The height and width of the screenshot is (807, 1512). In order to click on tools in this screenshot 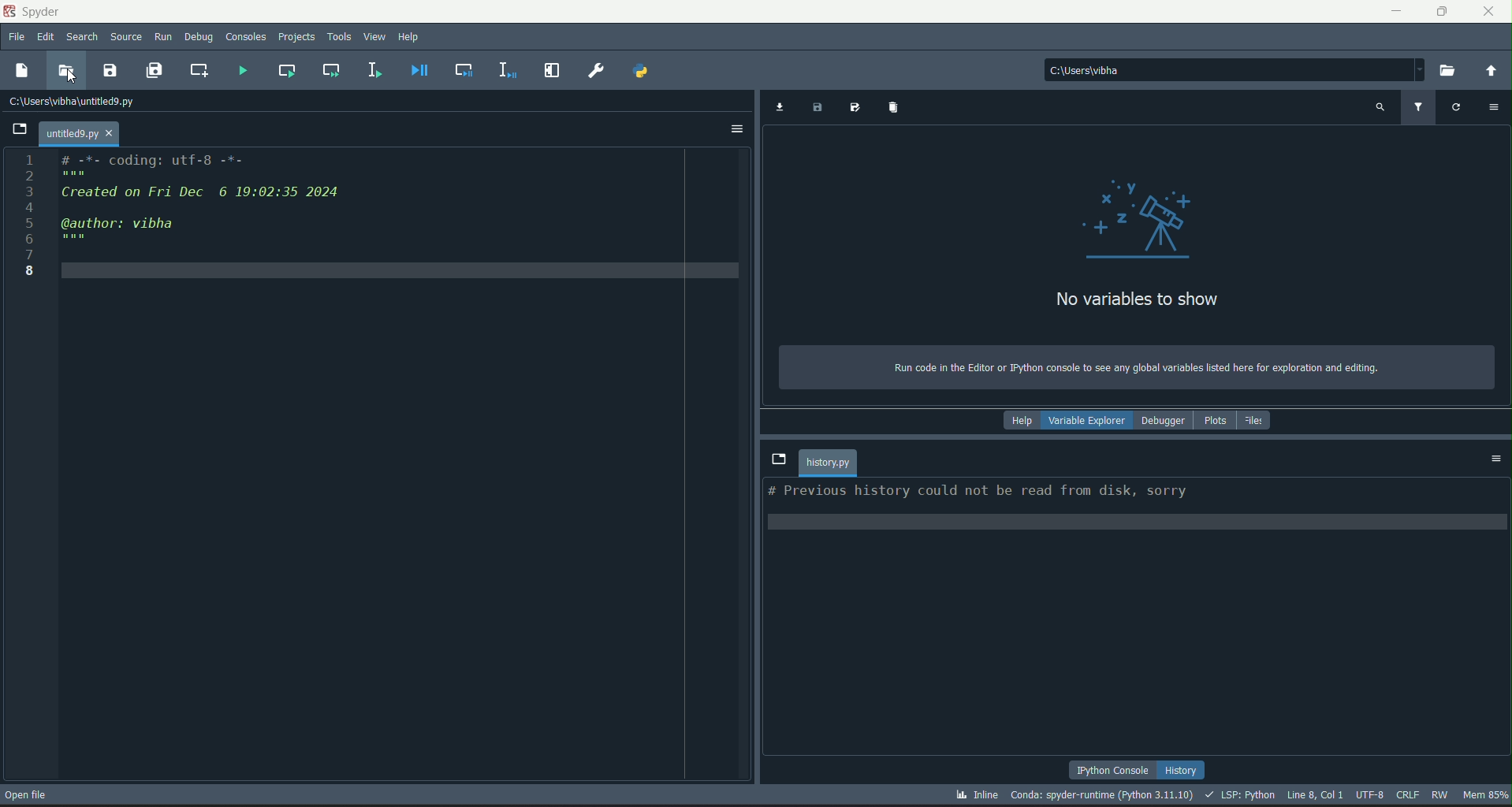, I will do `click(340, 39)`.